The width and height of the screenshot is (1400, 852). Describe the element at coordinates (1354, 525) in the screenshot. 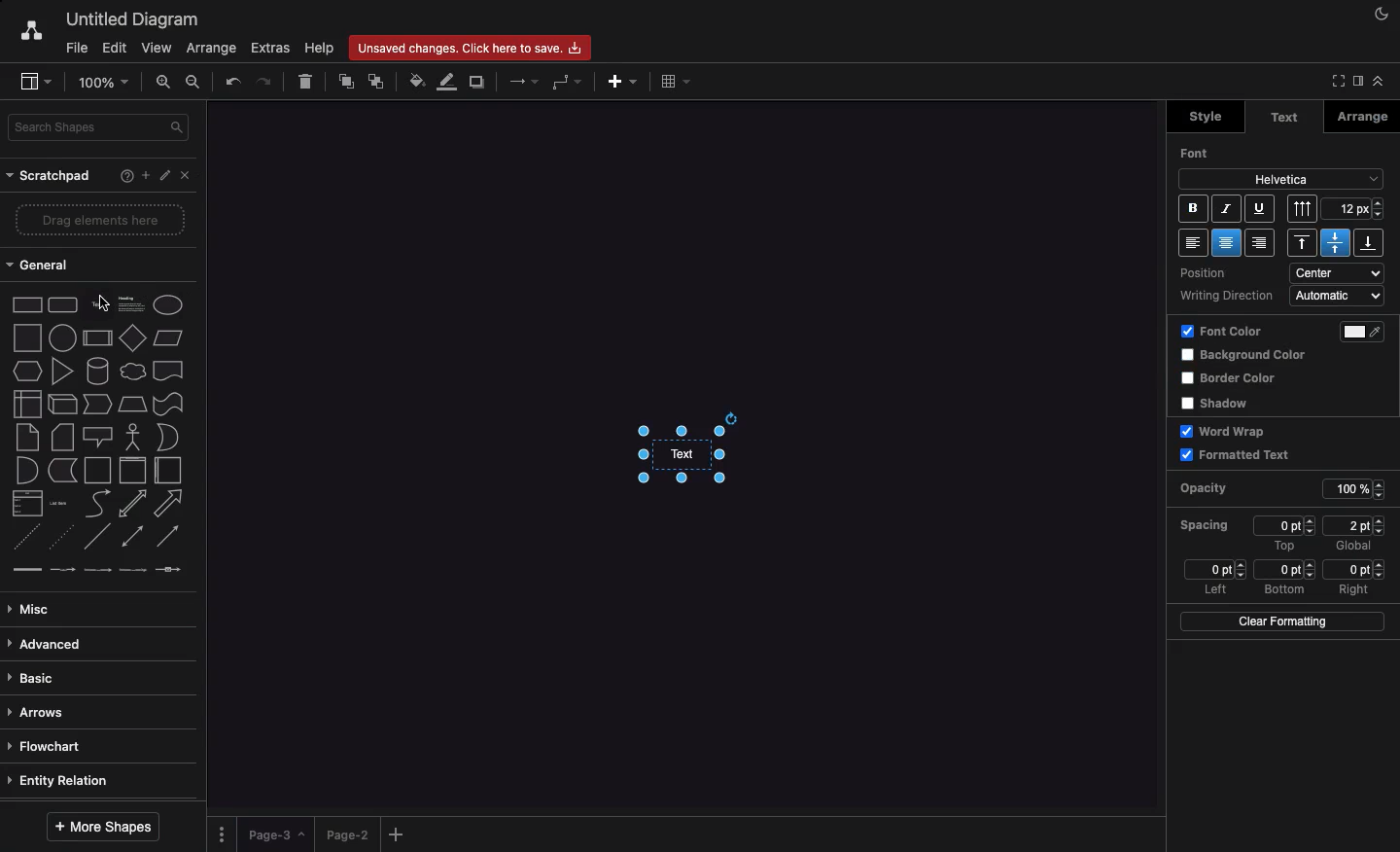

I see `2 pt` at that location.